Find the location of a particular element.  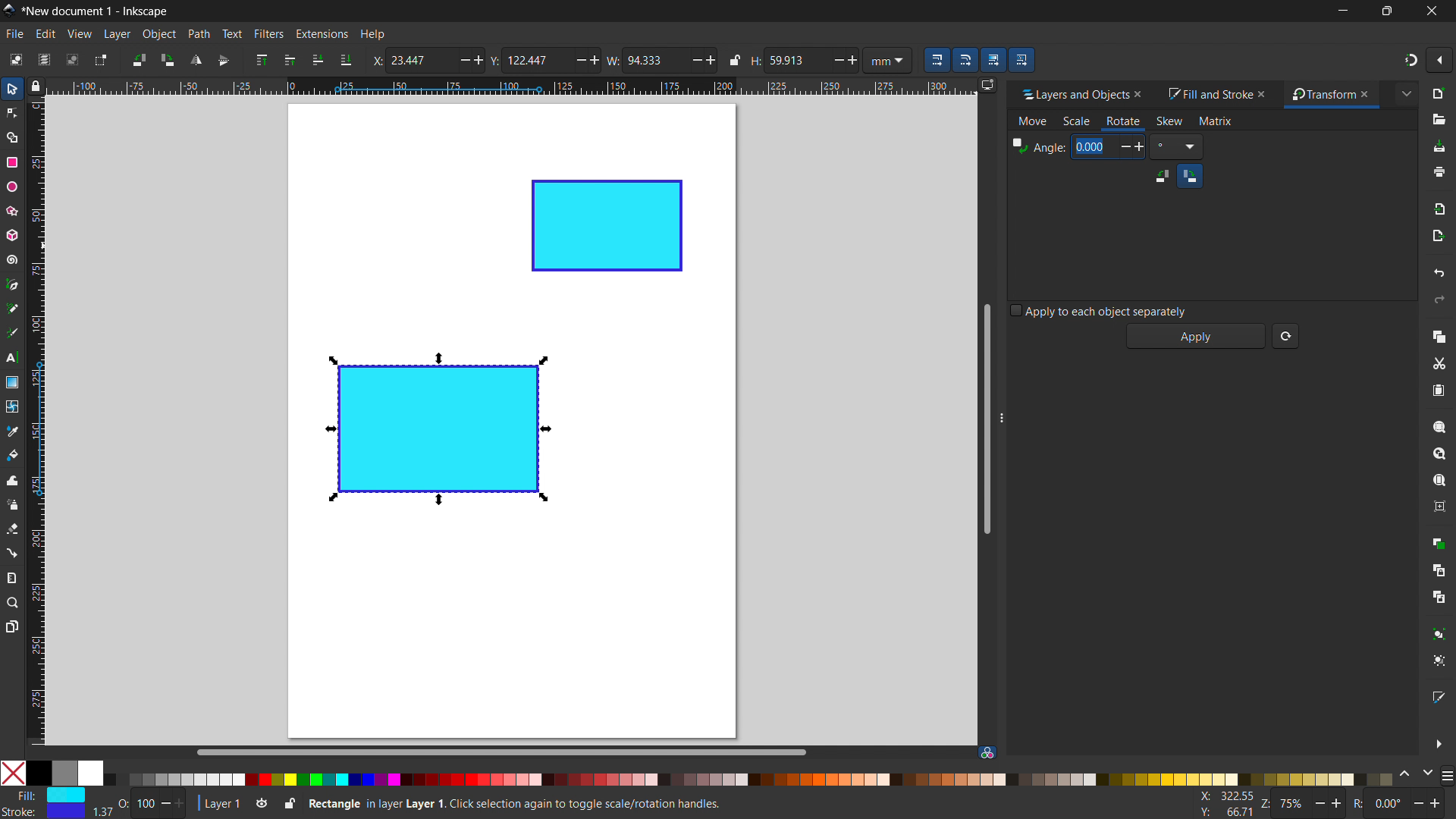

W: 94.333 is located at coordinates (643, 59).